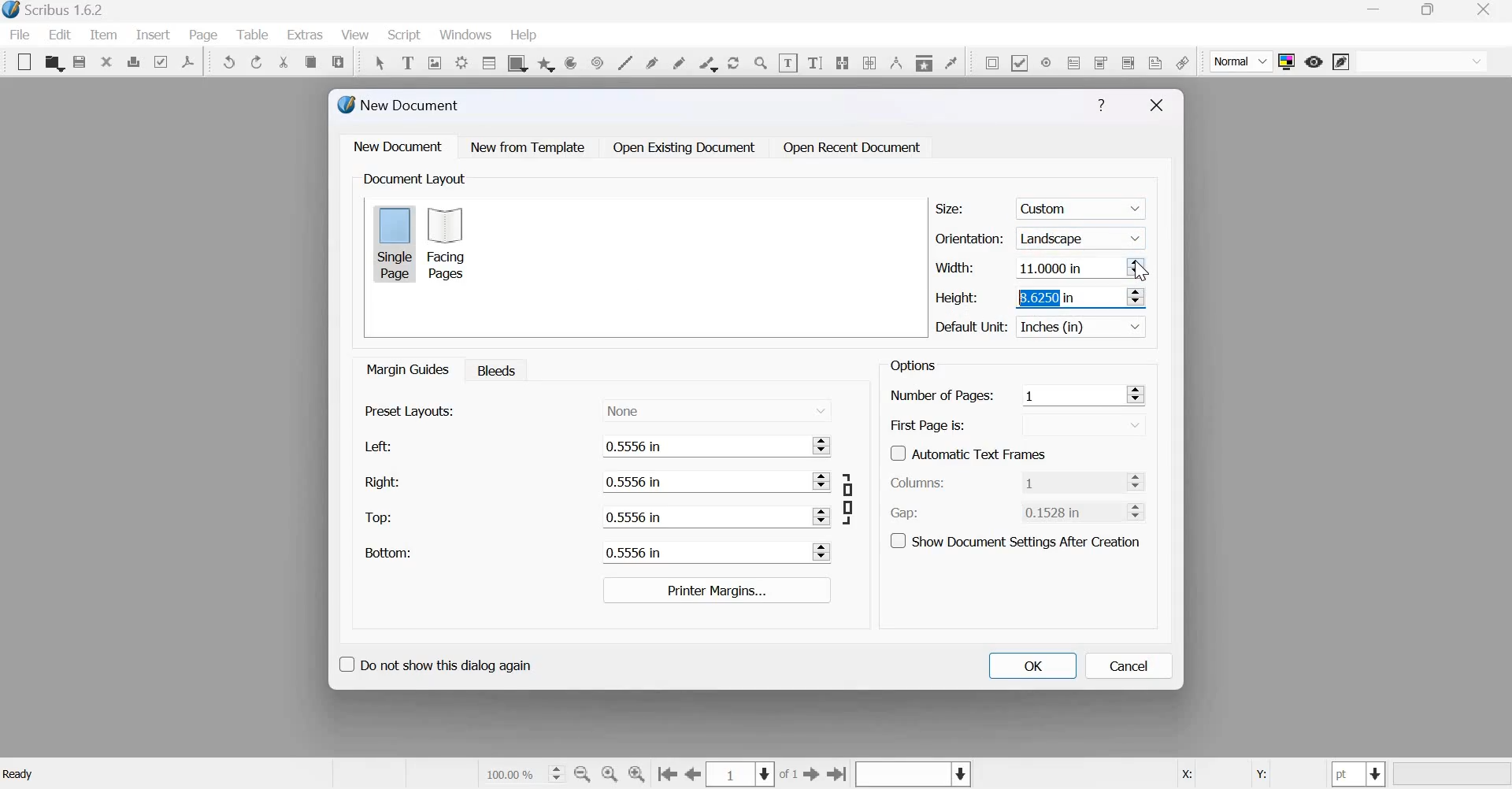 This screenshot has height=789, width=1512. Describe the element at coordinates (624, 61) in the screenshot. I see `line` at that location.